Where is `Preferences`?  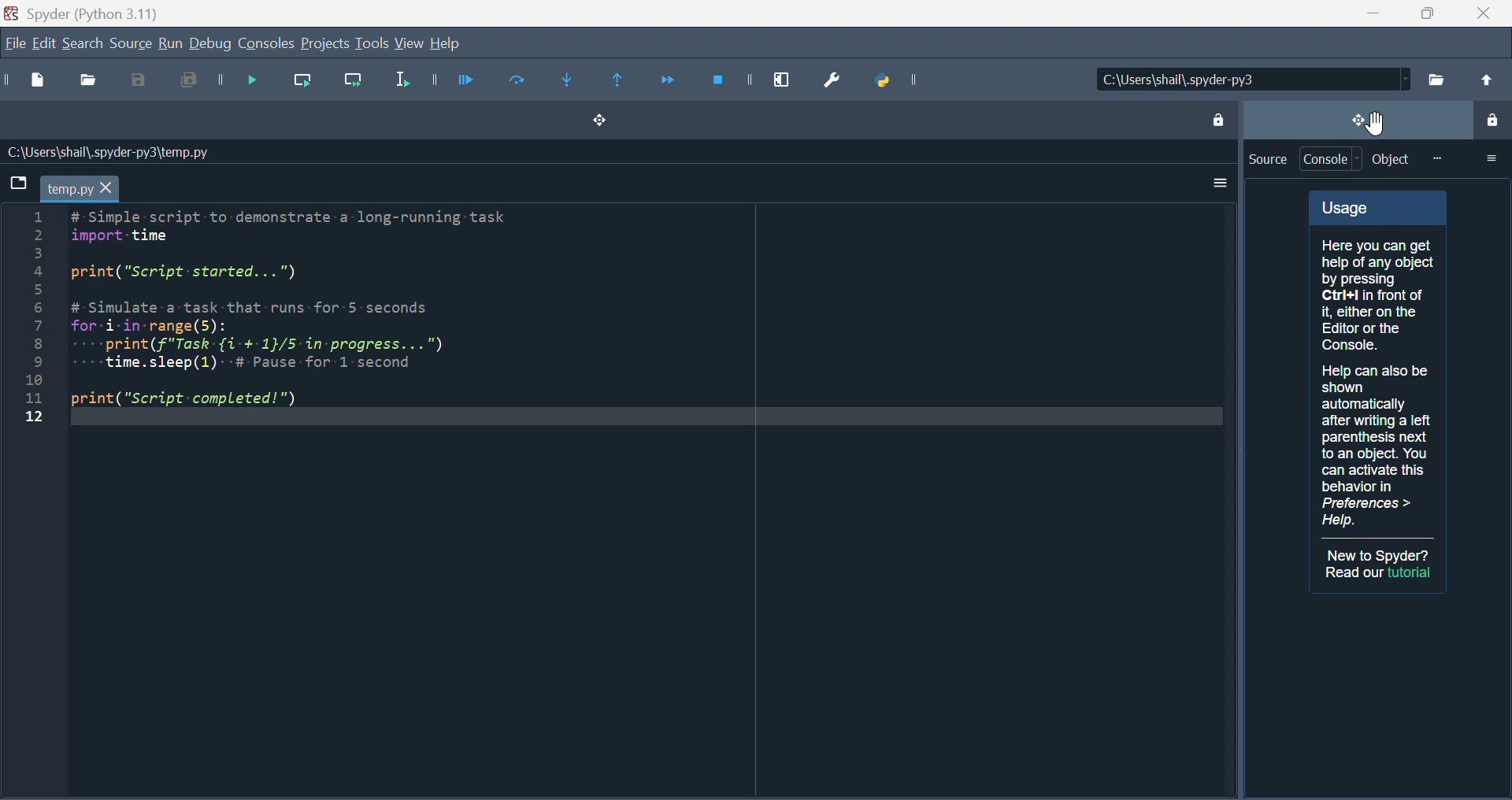
Preferences is located at coordinates (838, 78).